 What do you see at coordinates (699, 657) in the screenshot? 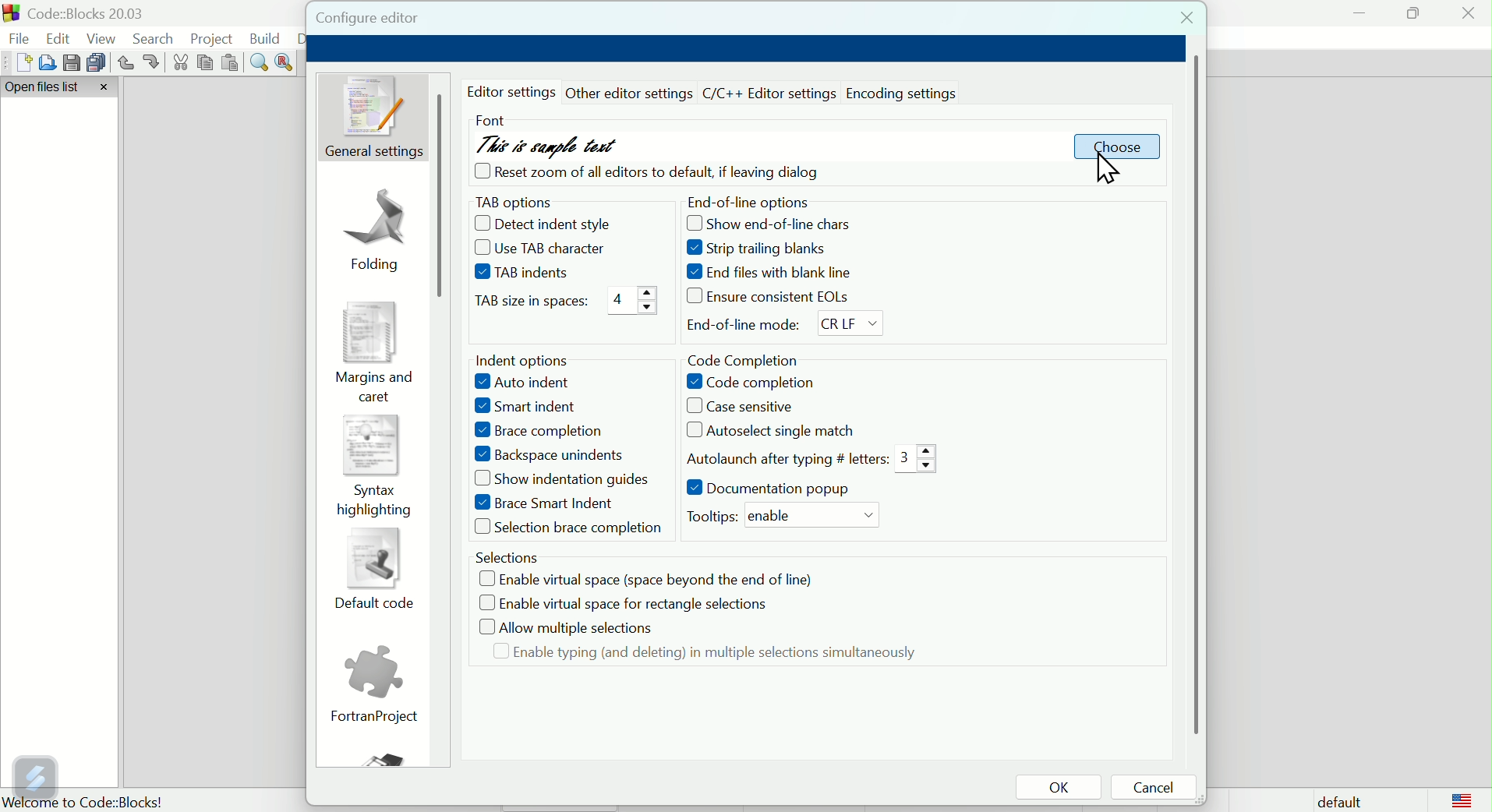
I see `Enable typing and deleting in multiple selection simultaneously` at bounding box center [699, 657].